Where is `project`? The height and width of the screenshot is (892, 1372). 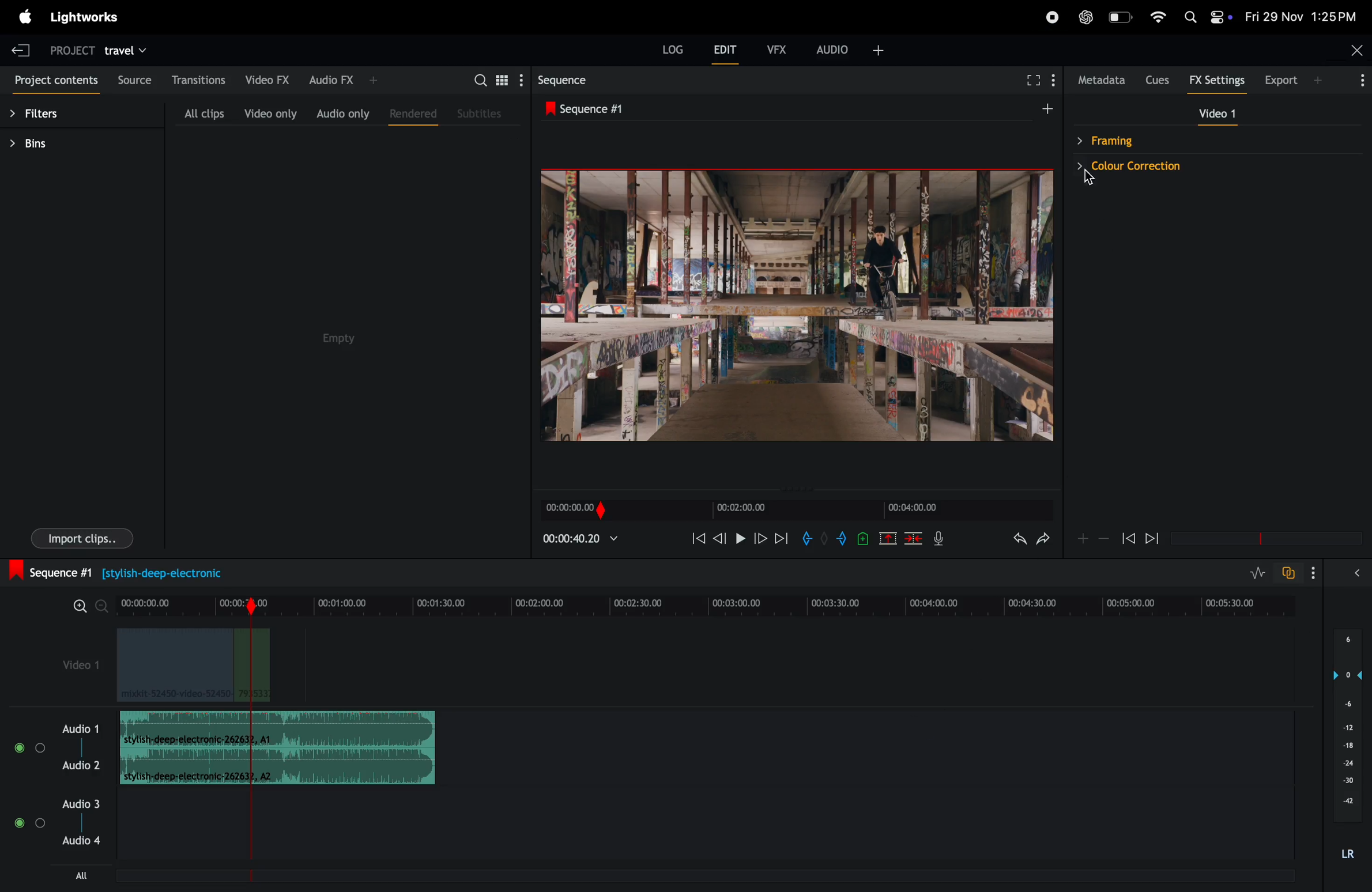 project is located at coordinates (70, 50).